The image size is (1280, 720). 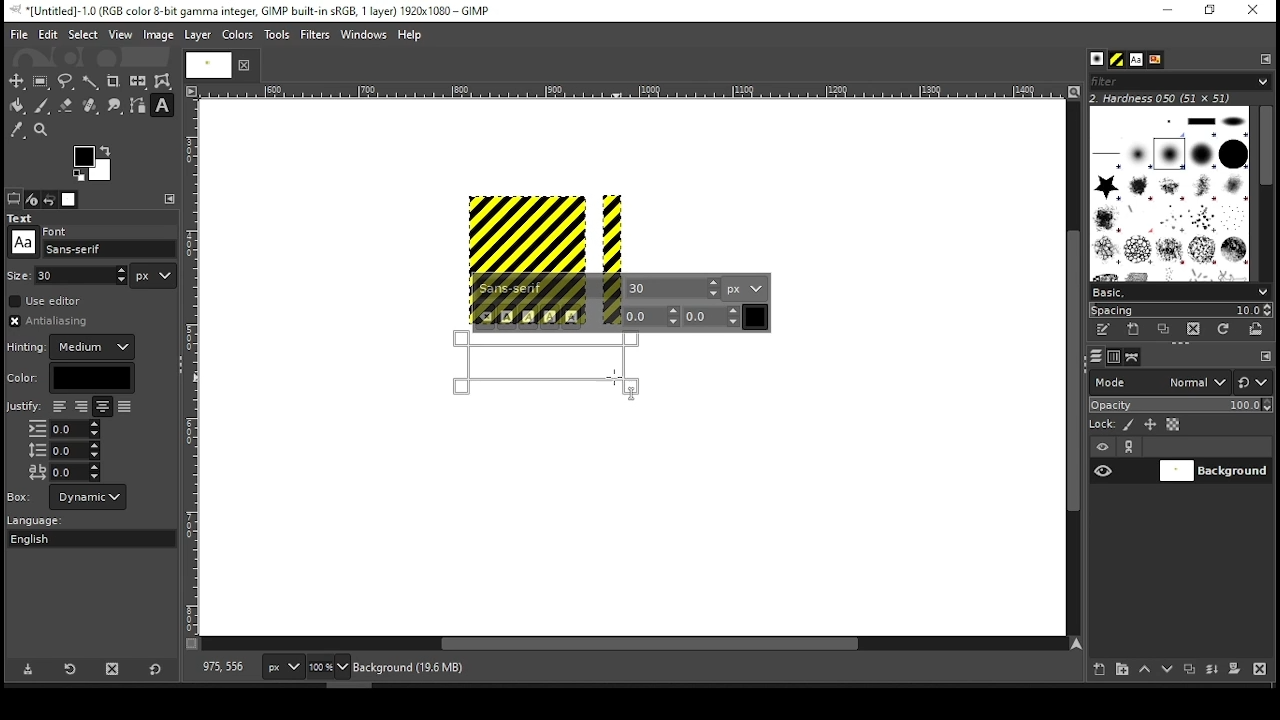 What do you see at coordinates (673, 287) in the screenshot?
I see `font` at bounding box center [673, 287].